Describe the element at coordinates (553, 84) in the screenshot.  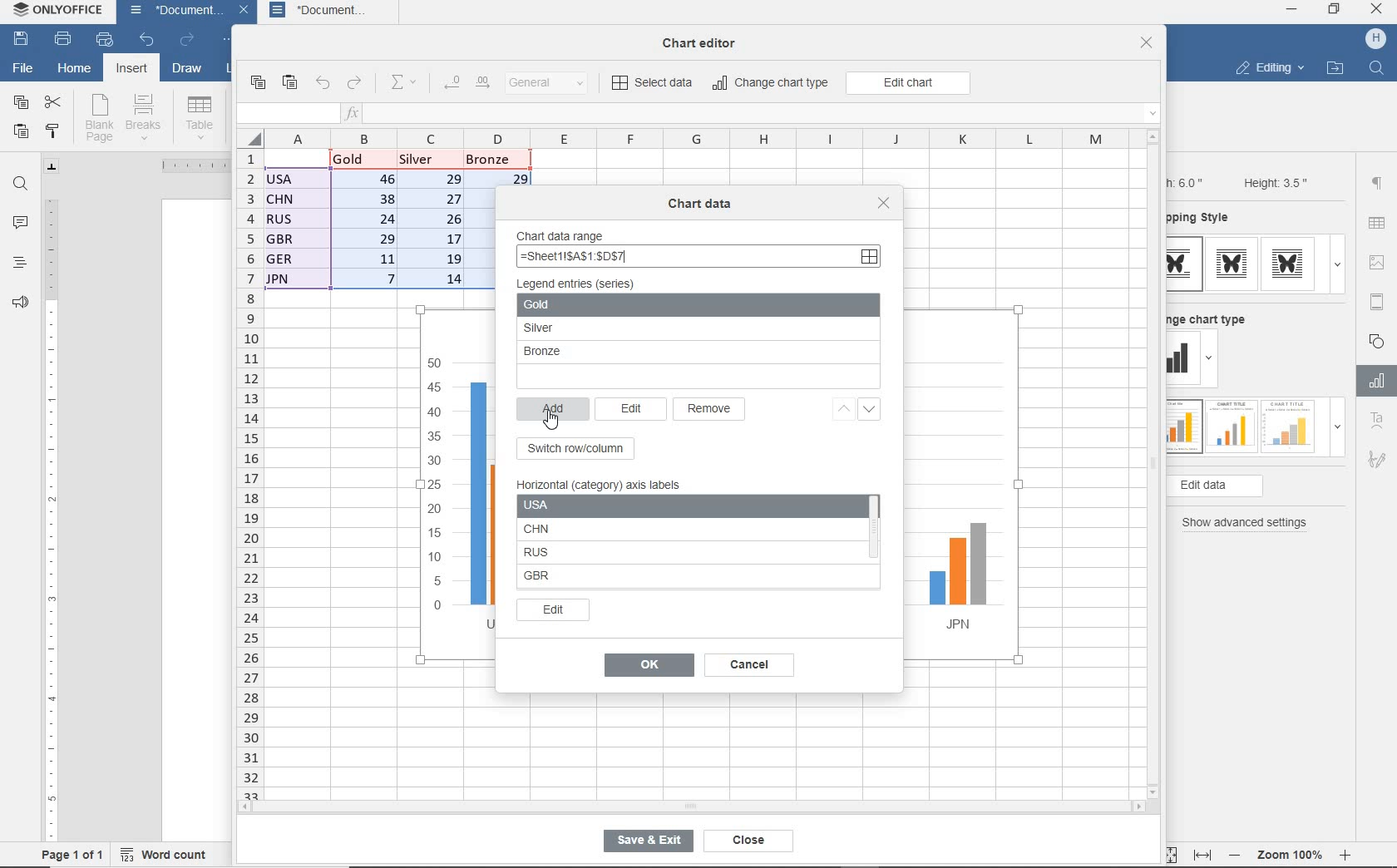
I see `number format` at that location.